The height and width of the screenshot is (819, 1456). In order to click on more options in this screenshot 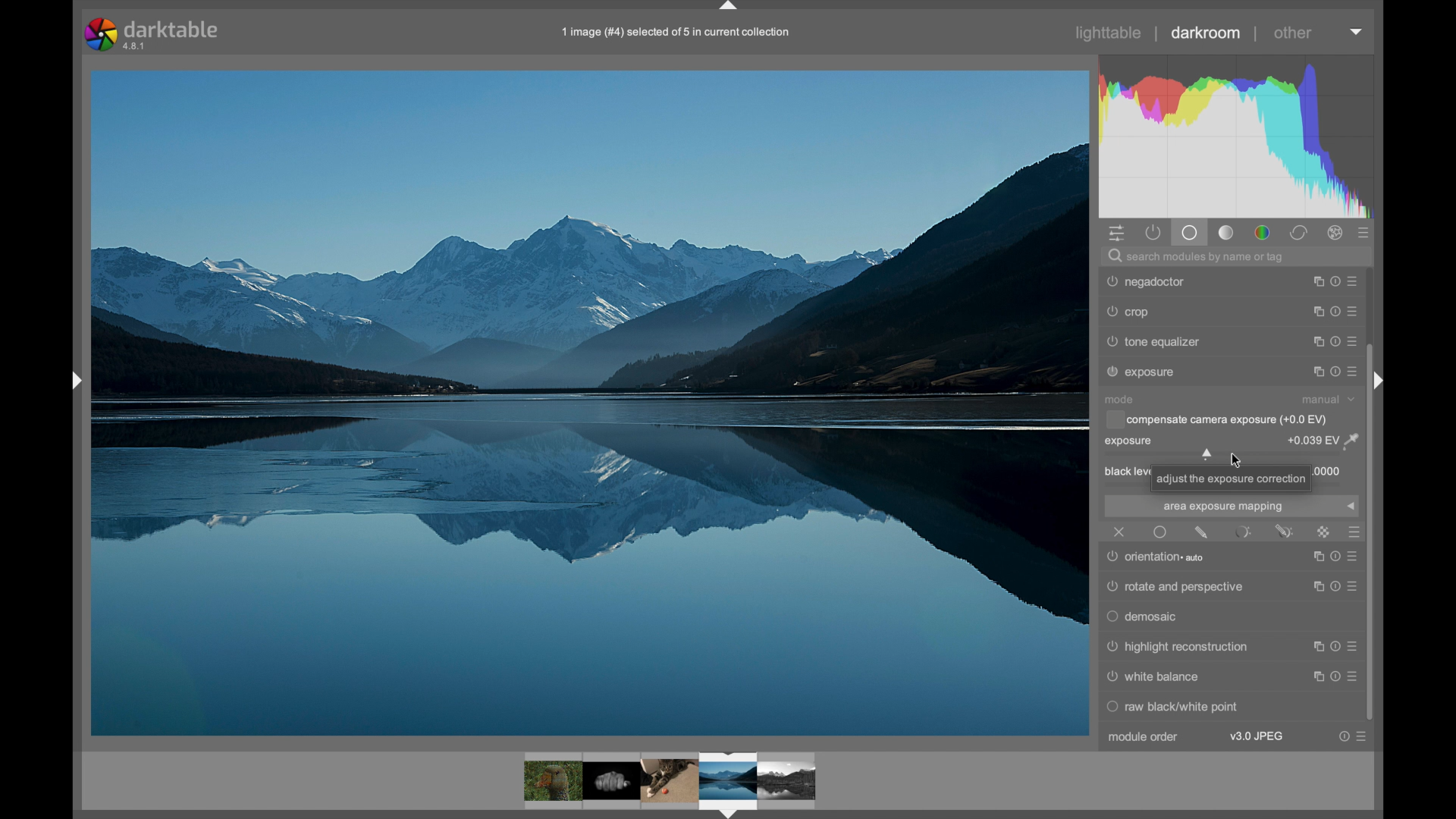, I will do `click(1336, 372)`.